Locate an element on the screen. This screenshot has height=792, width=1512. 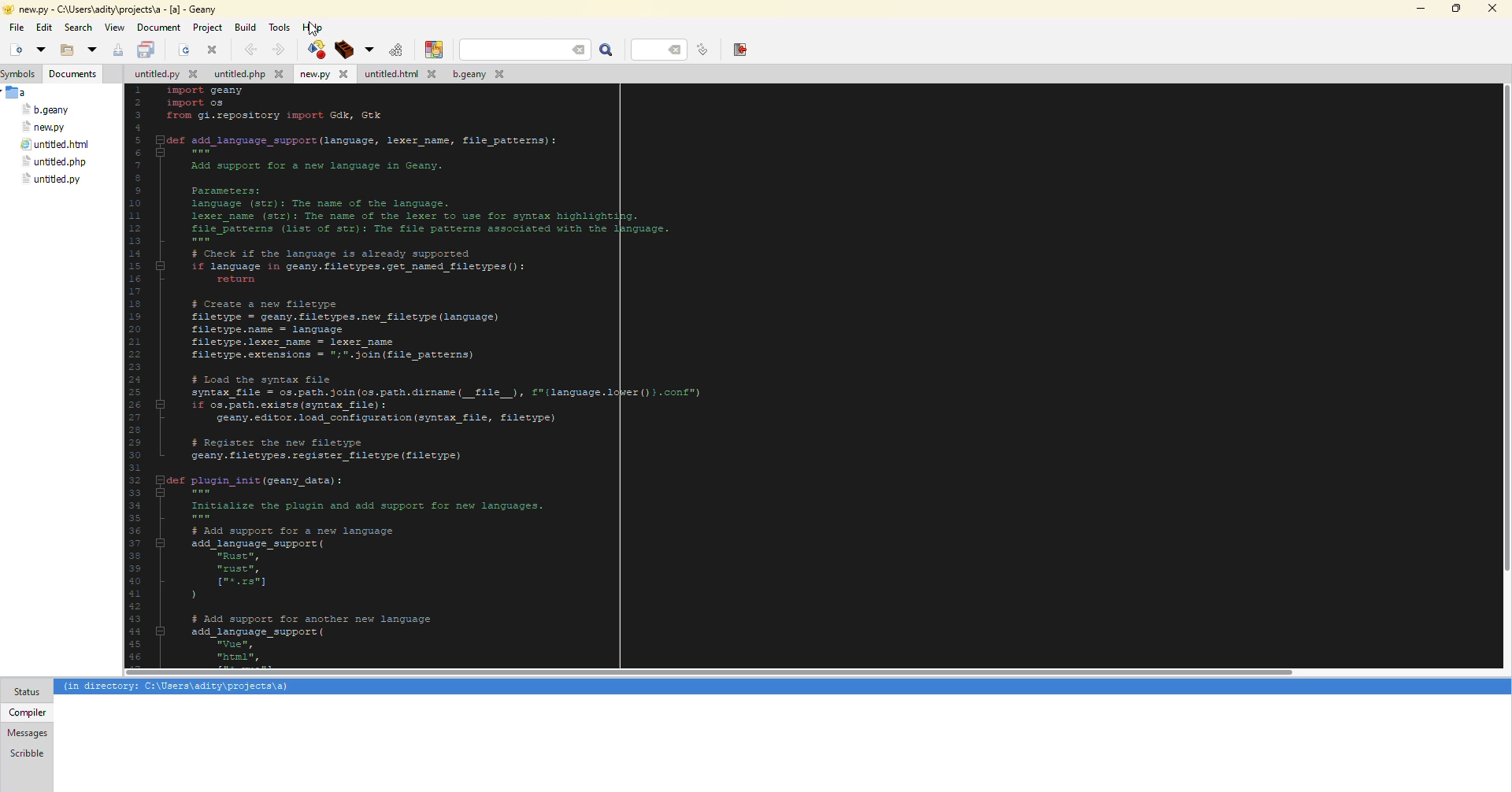
color is located at coordinates (431, 50).